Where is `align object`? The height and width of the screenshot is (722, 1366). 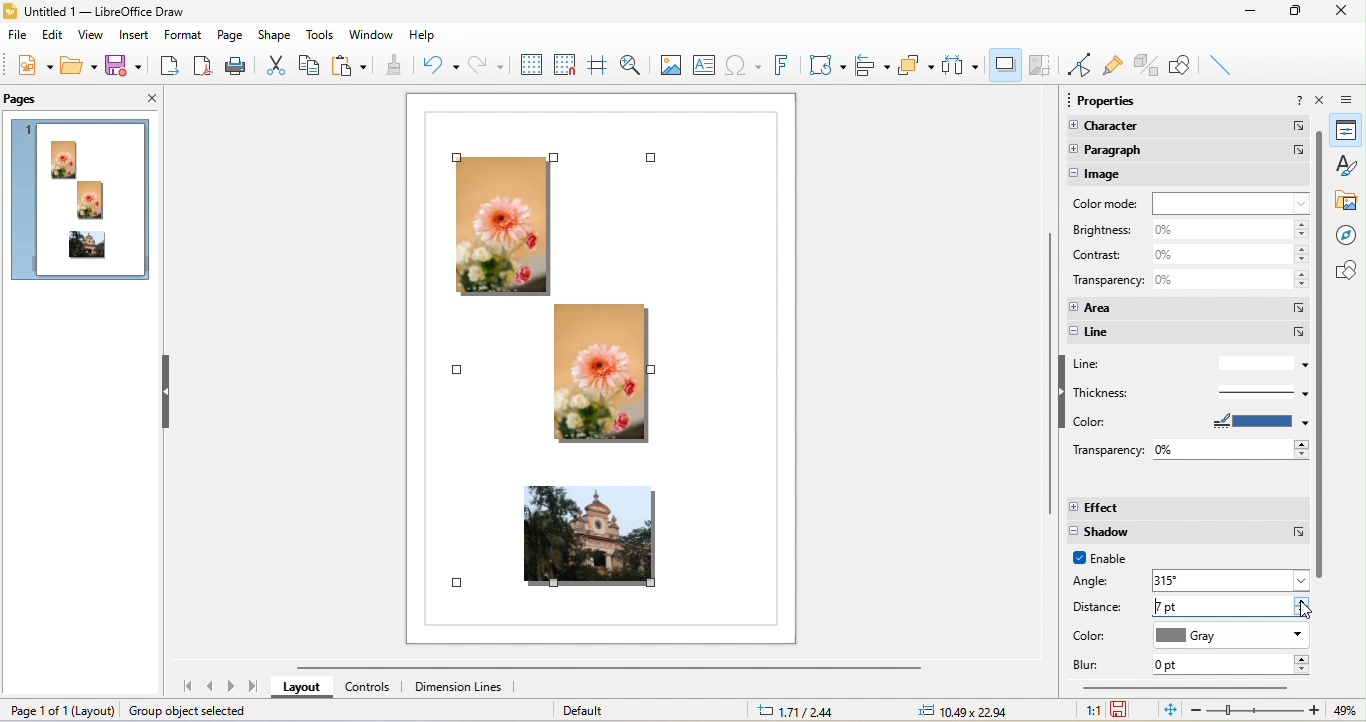 align object is located at coordinates (874, 65).